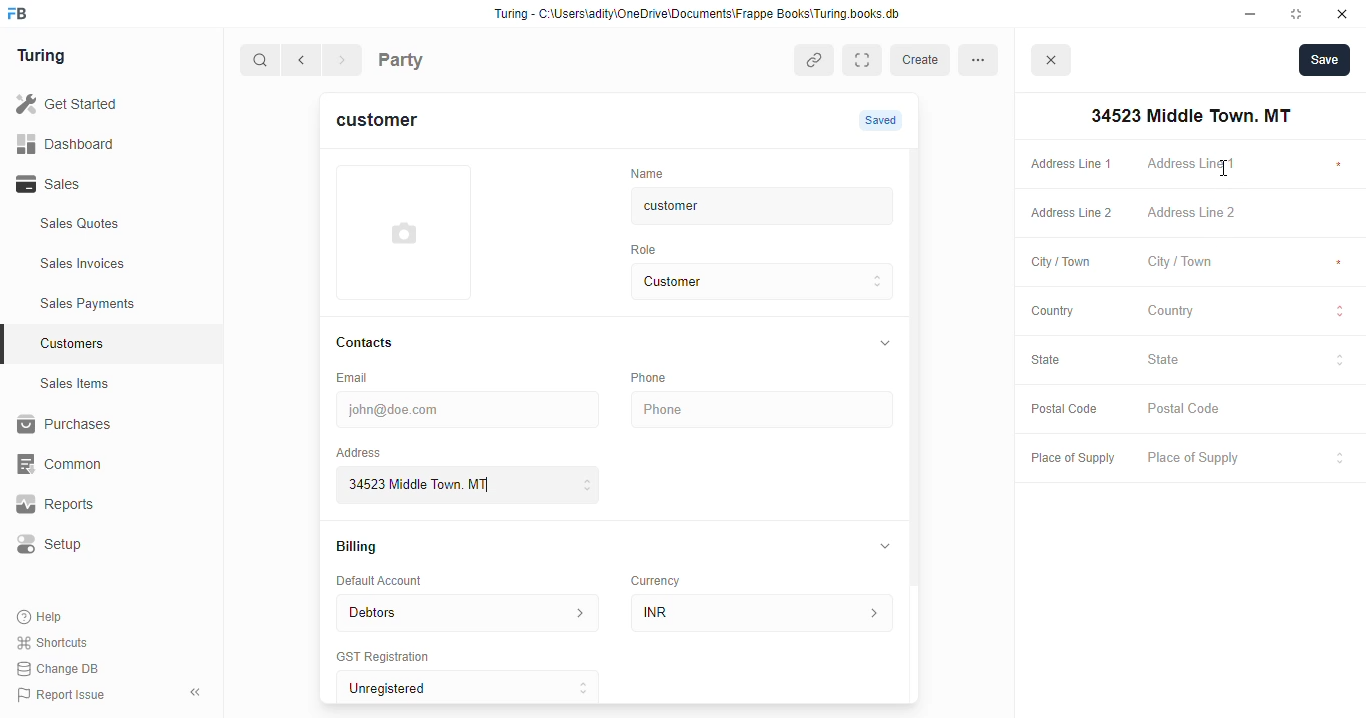 This screenshot has height=718, width=1366. What do you see at coordinates (98, 184) in the screenshot?
I see `Sales` at bounding box center [98, 184].